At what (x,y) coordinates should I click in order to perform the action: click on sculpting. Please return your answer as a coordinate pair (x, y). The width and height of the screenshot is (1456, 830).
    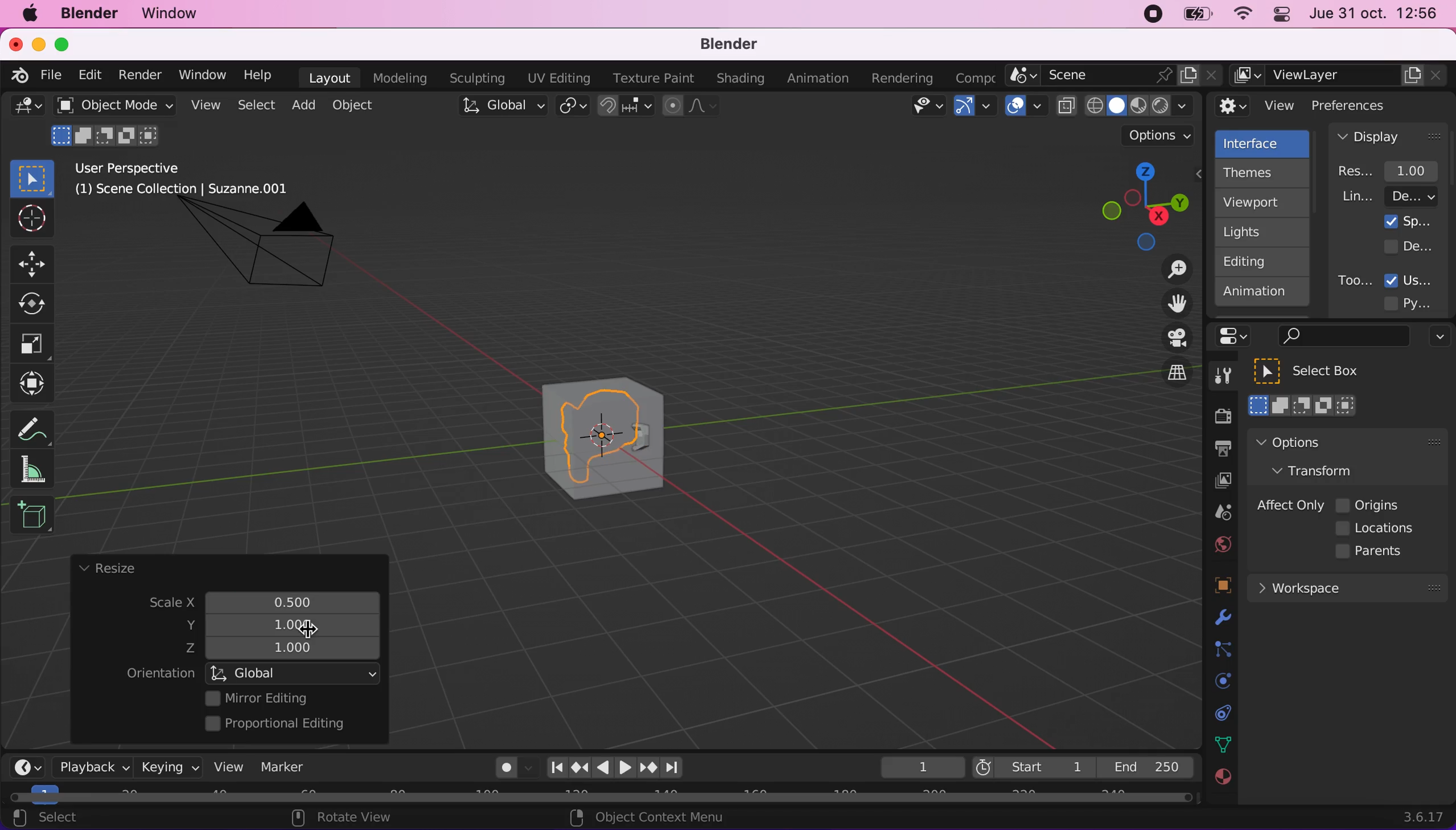
    Looking at the image, I should click on (474, 78).